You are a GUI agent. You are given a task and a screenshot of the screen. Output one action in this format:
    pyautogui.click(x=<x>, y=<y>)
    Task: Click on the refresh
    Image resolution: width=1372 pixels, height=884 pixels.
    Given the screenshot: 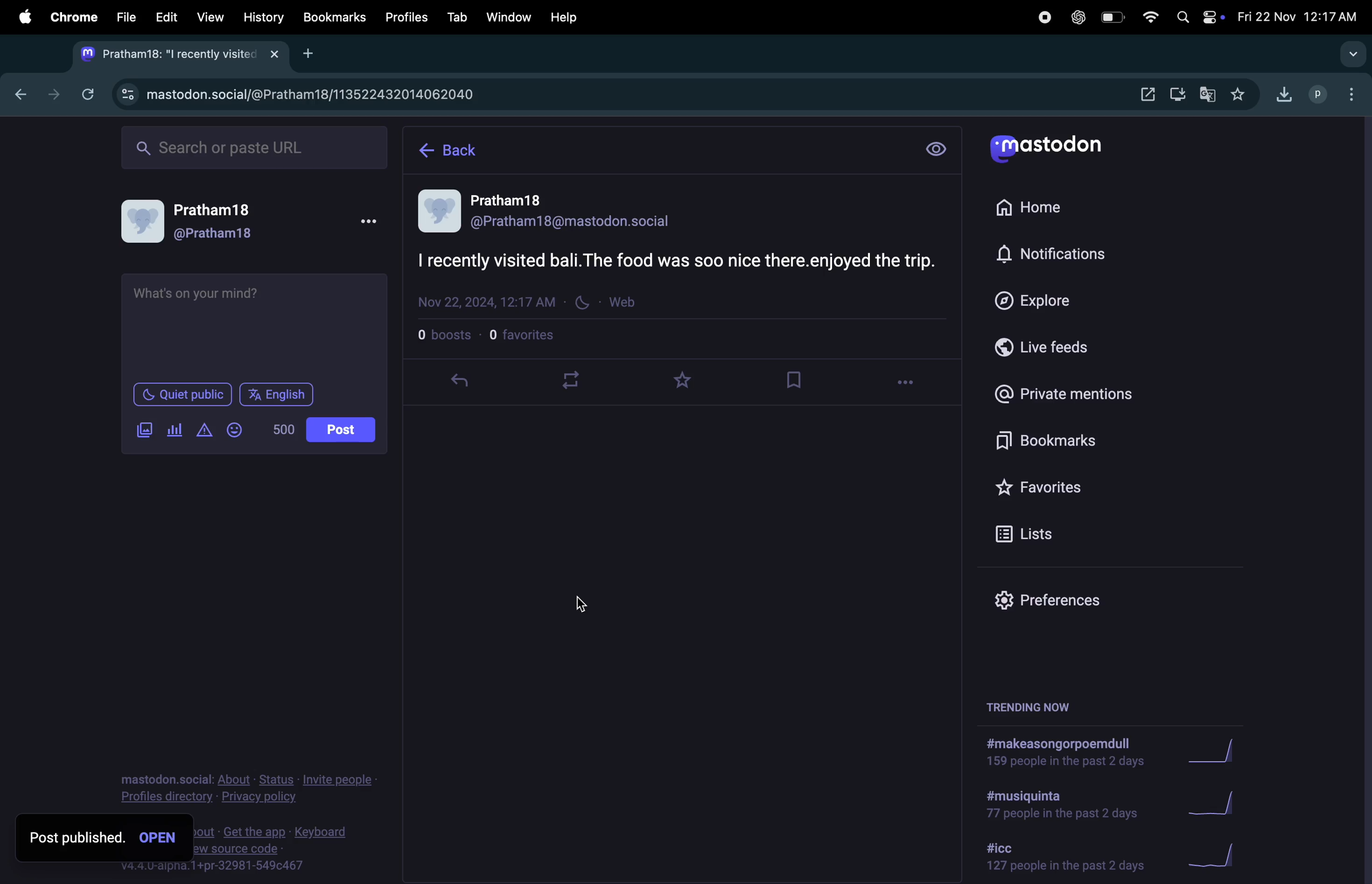 What is the action you would take?
    pyautogui.click(x=87, y=92)
    